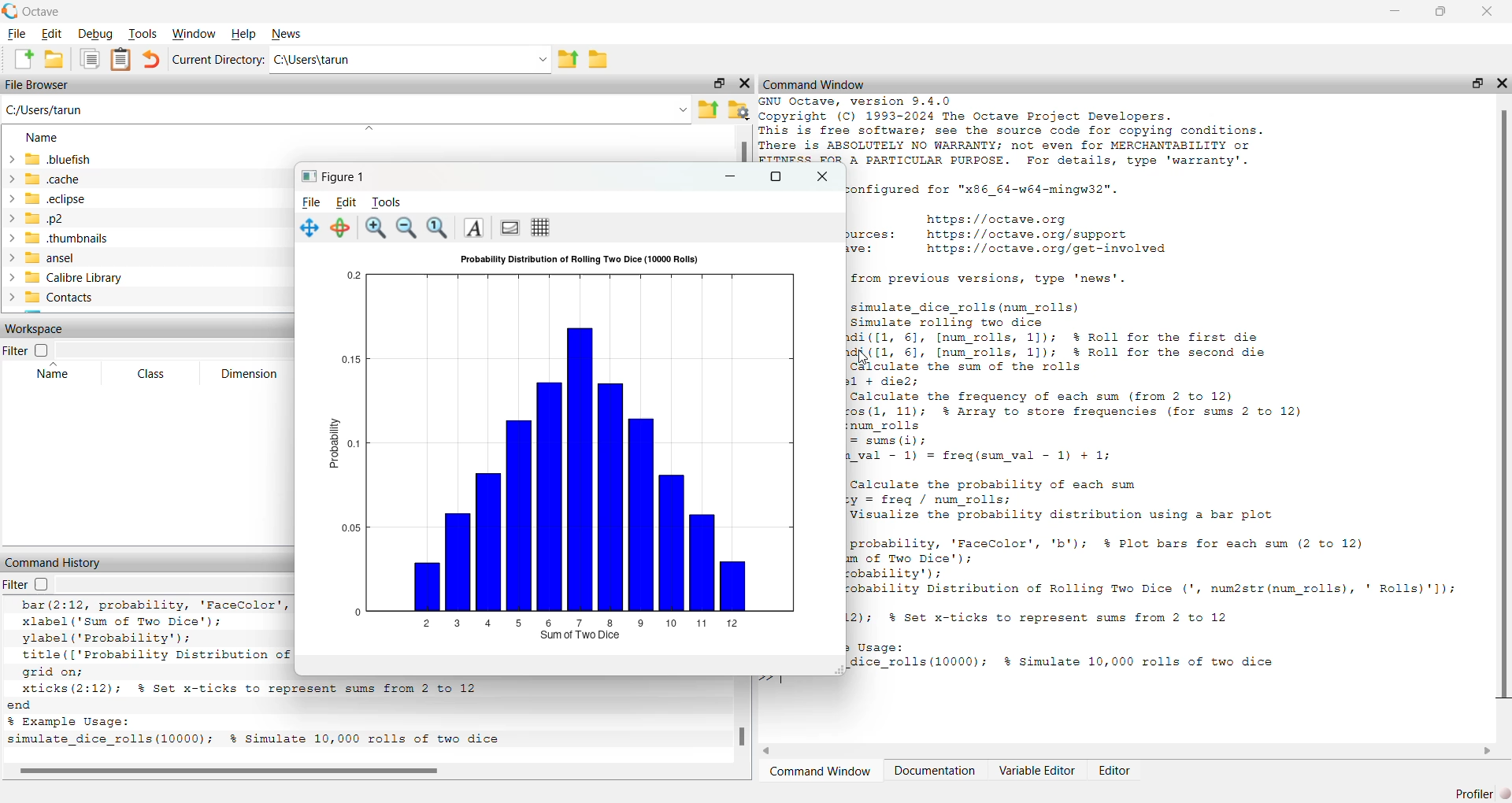  Describe the element at coordinates (683, 110) in the screenshot. I see `dropdown` at that location.